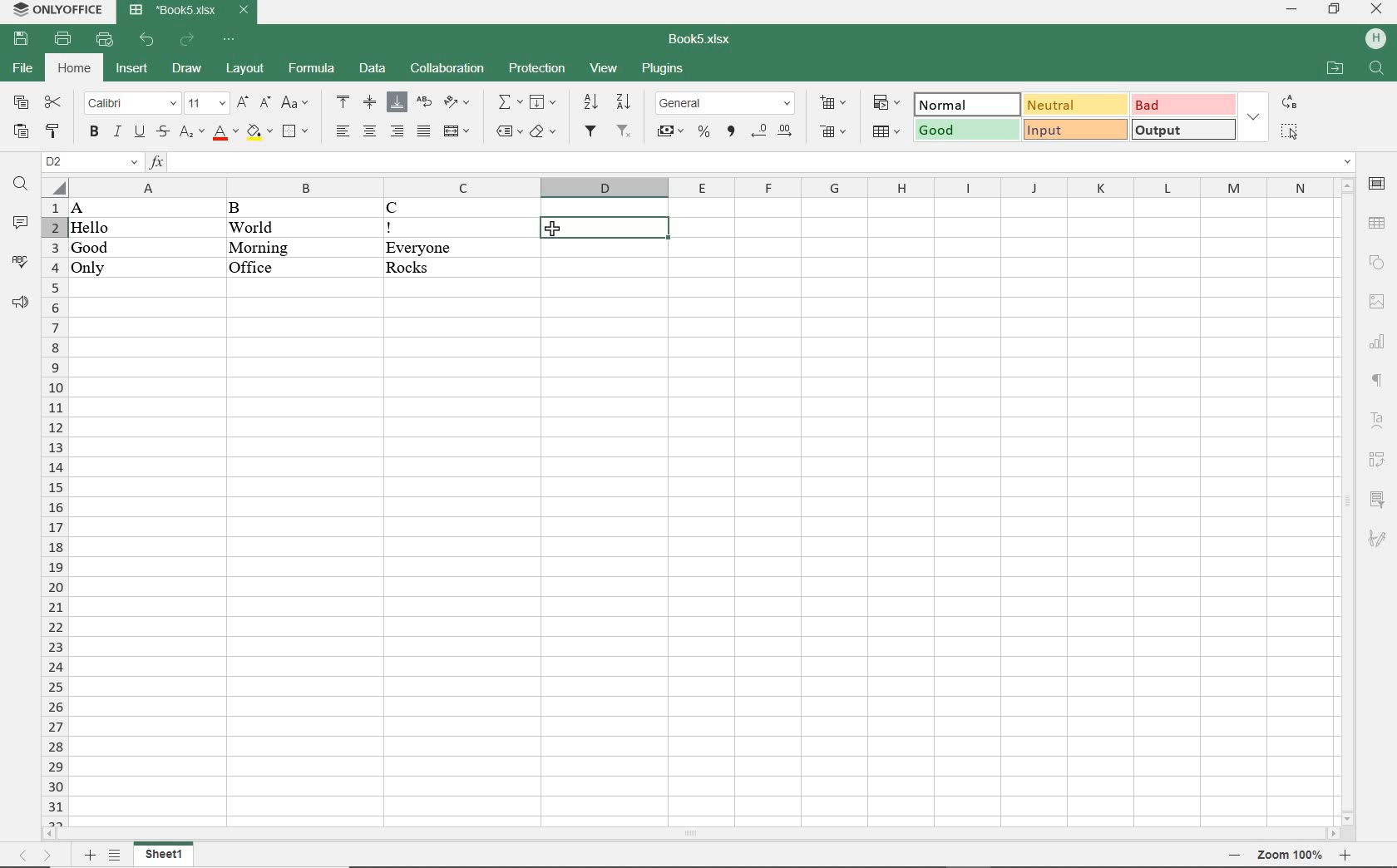 This screenshot has width=1397, height=868. I want to click on view, so click(605, 69).